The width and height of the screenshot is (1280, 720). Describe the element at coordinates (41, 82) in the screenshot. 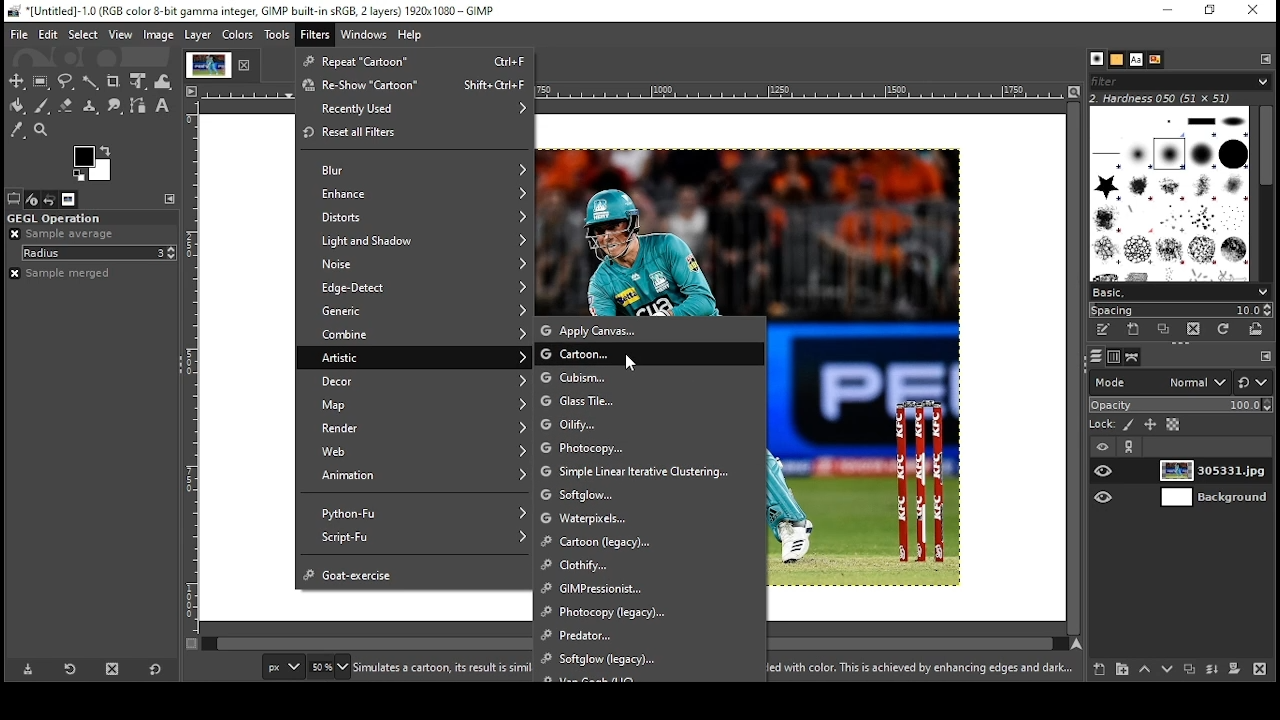

I see `rectangular selection tool` at that location.